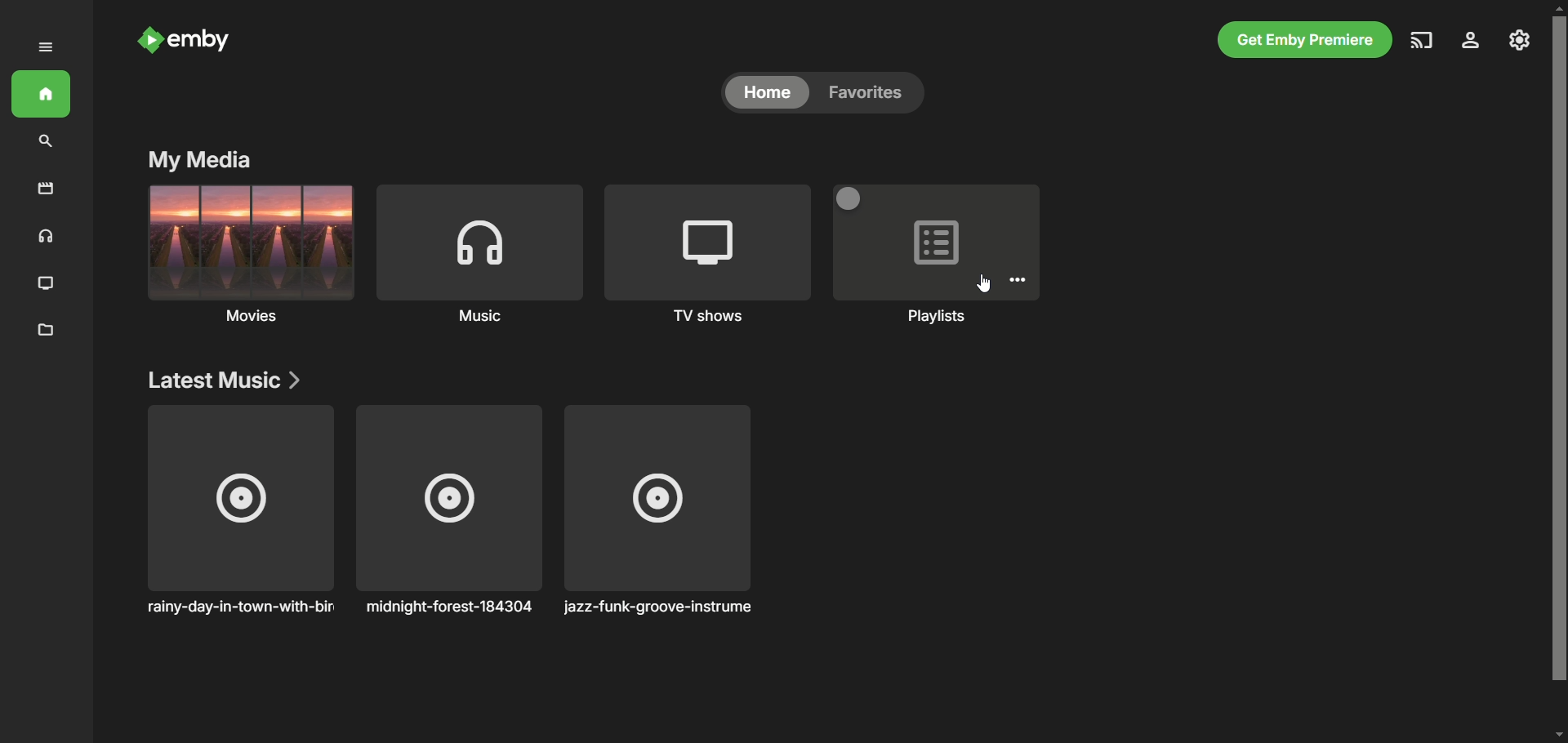  What do you see at coordinates (1423, 40) in the screenshot?
I see `play on another device` at bounding box center [1423, 40].